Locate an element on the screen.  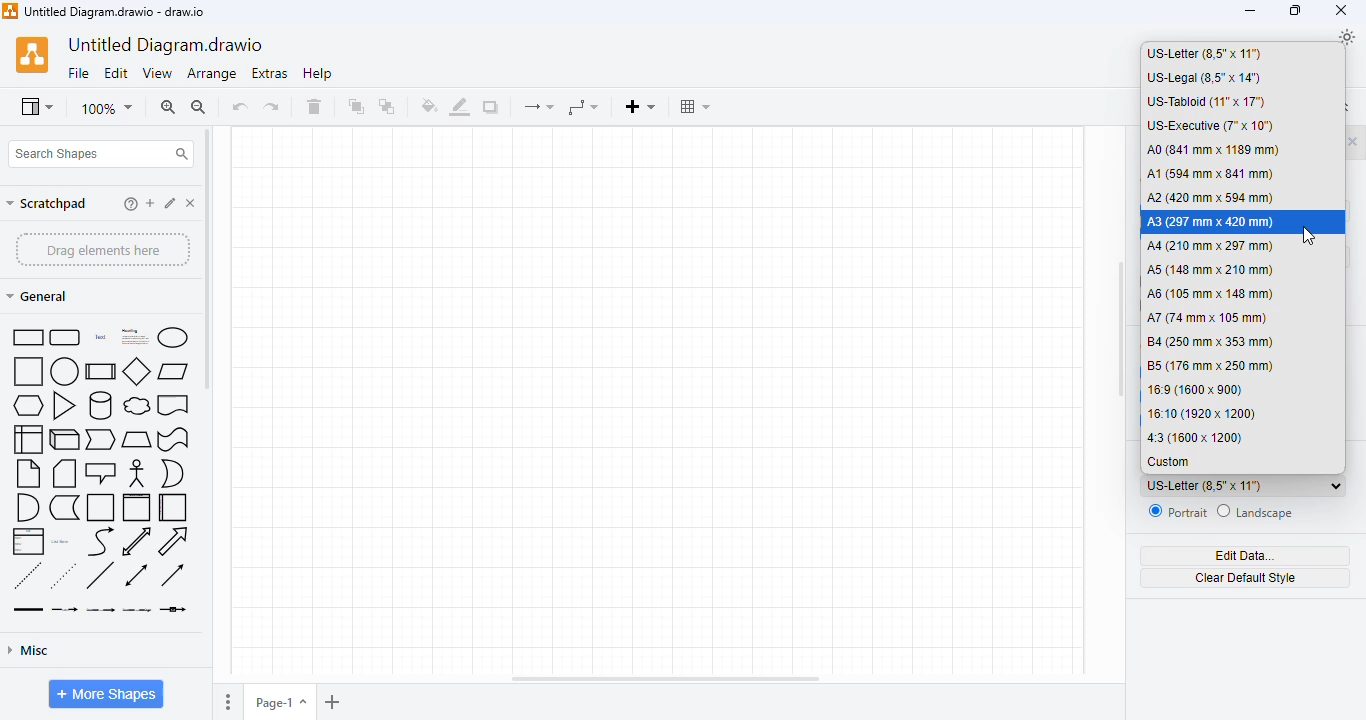
connector with 2 labels is located at coordinates (100, 610).